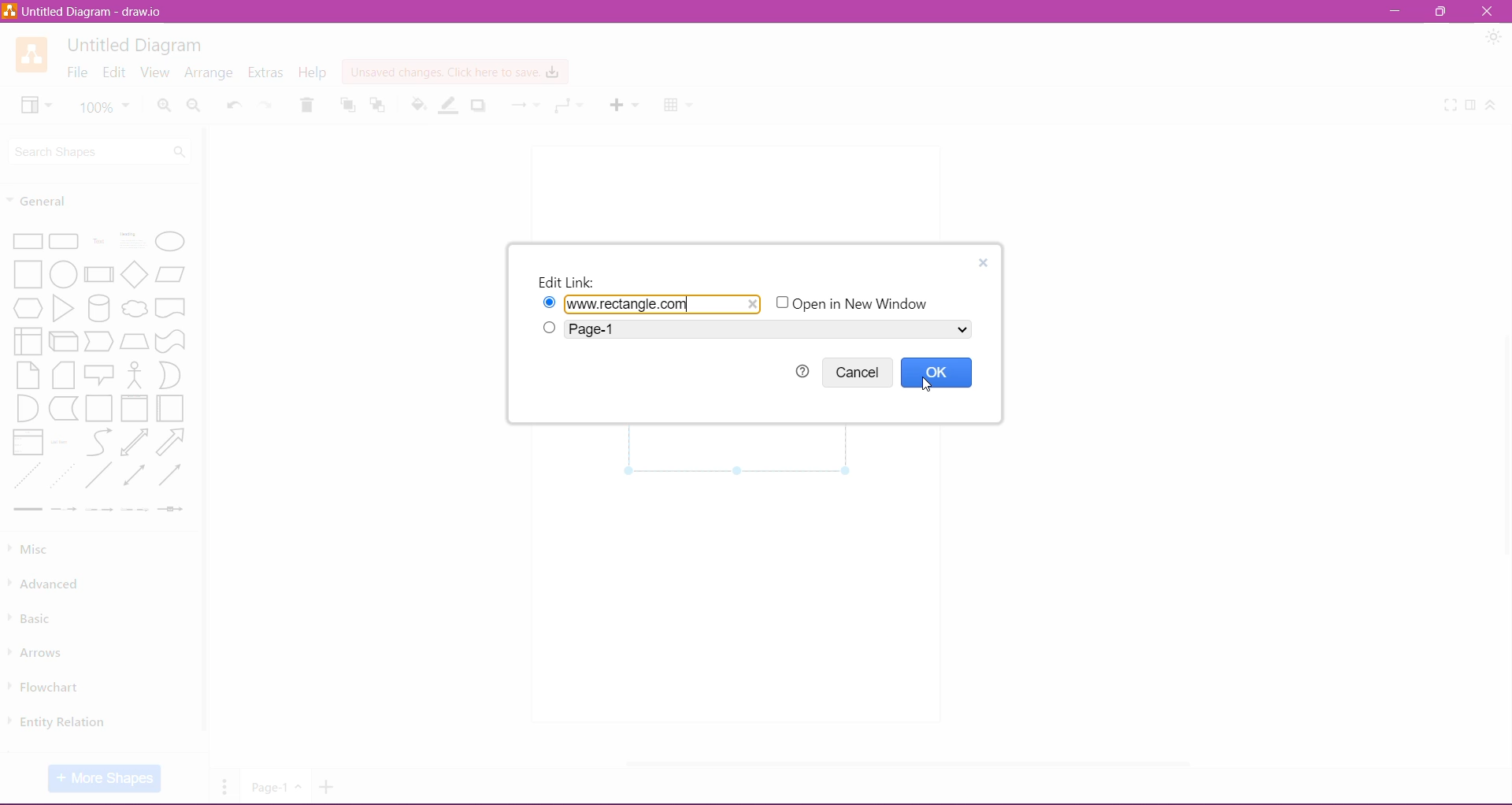  I want to click on To Front, so click(346, 105).